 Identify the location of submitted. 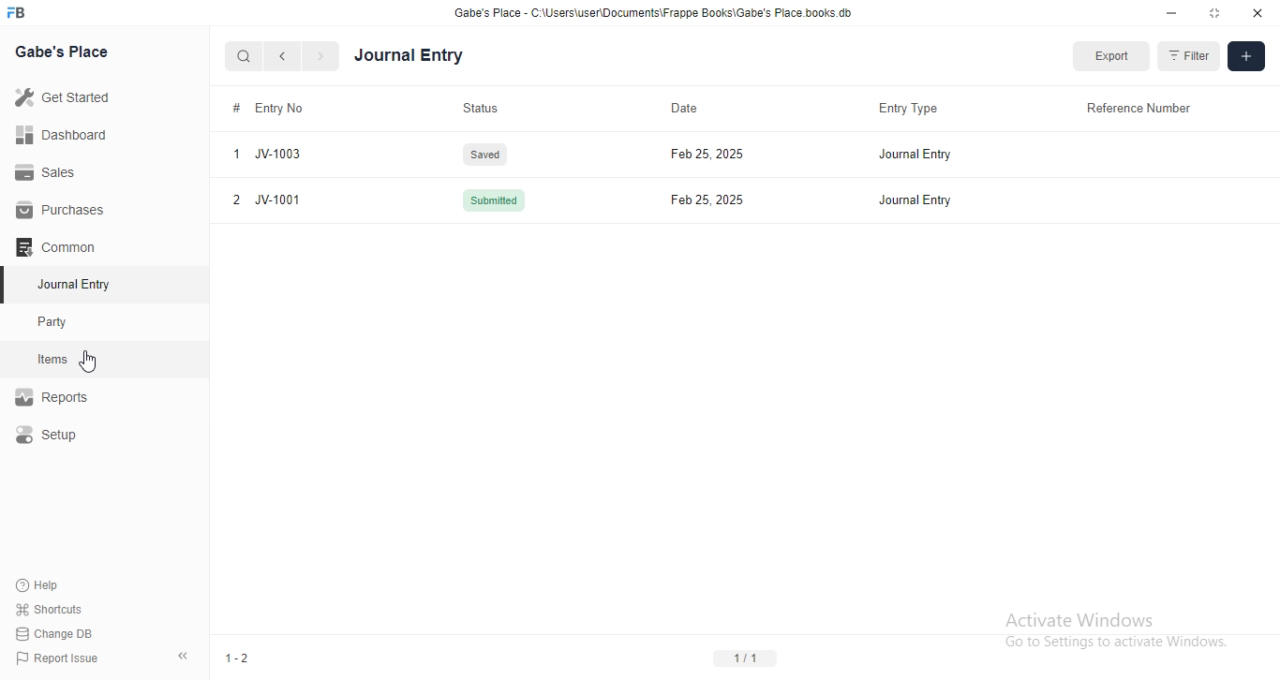
(496, 200).